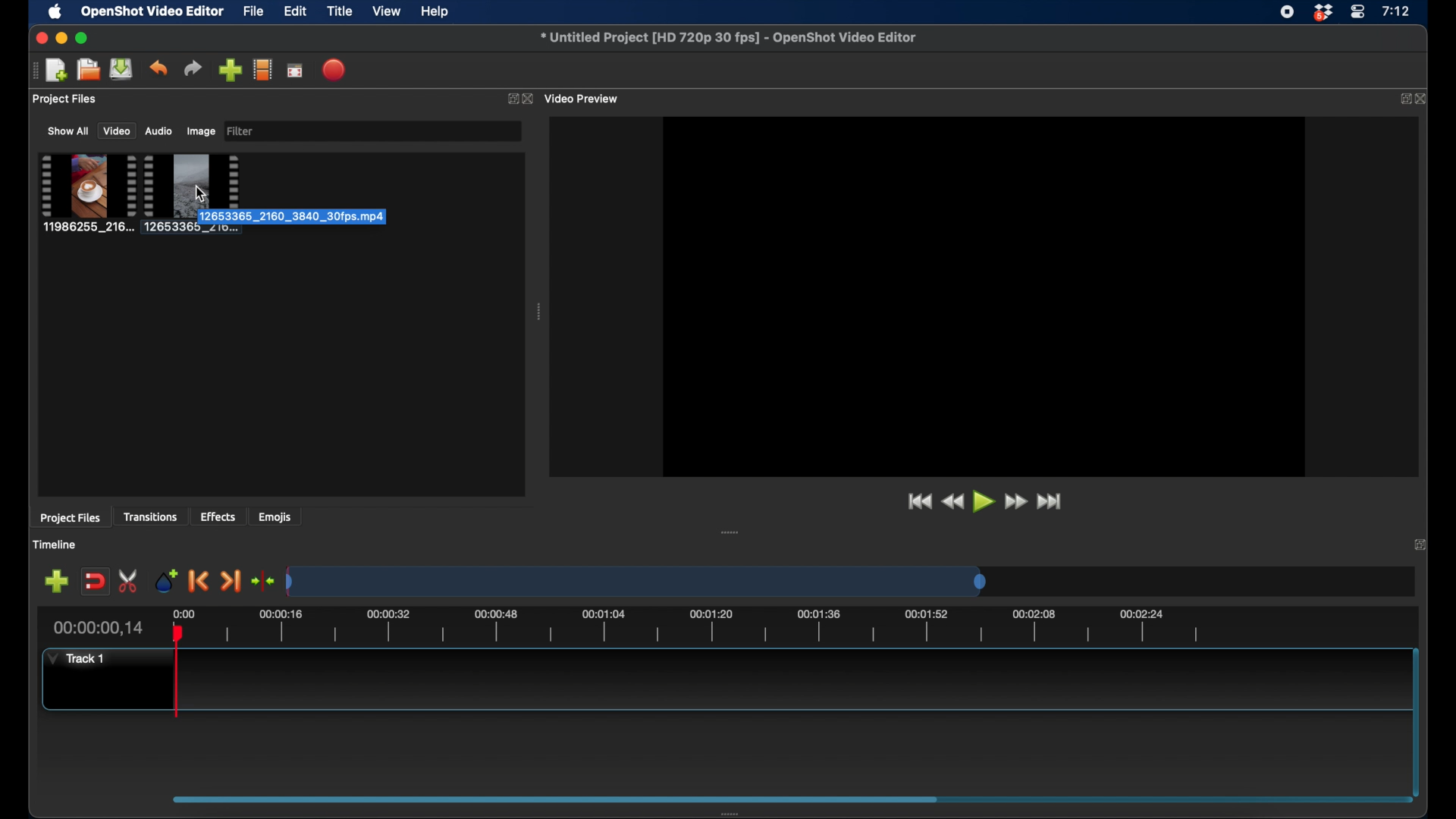 The image size is (1456, 819). I want to click on effects, so click(218, 516).